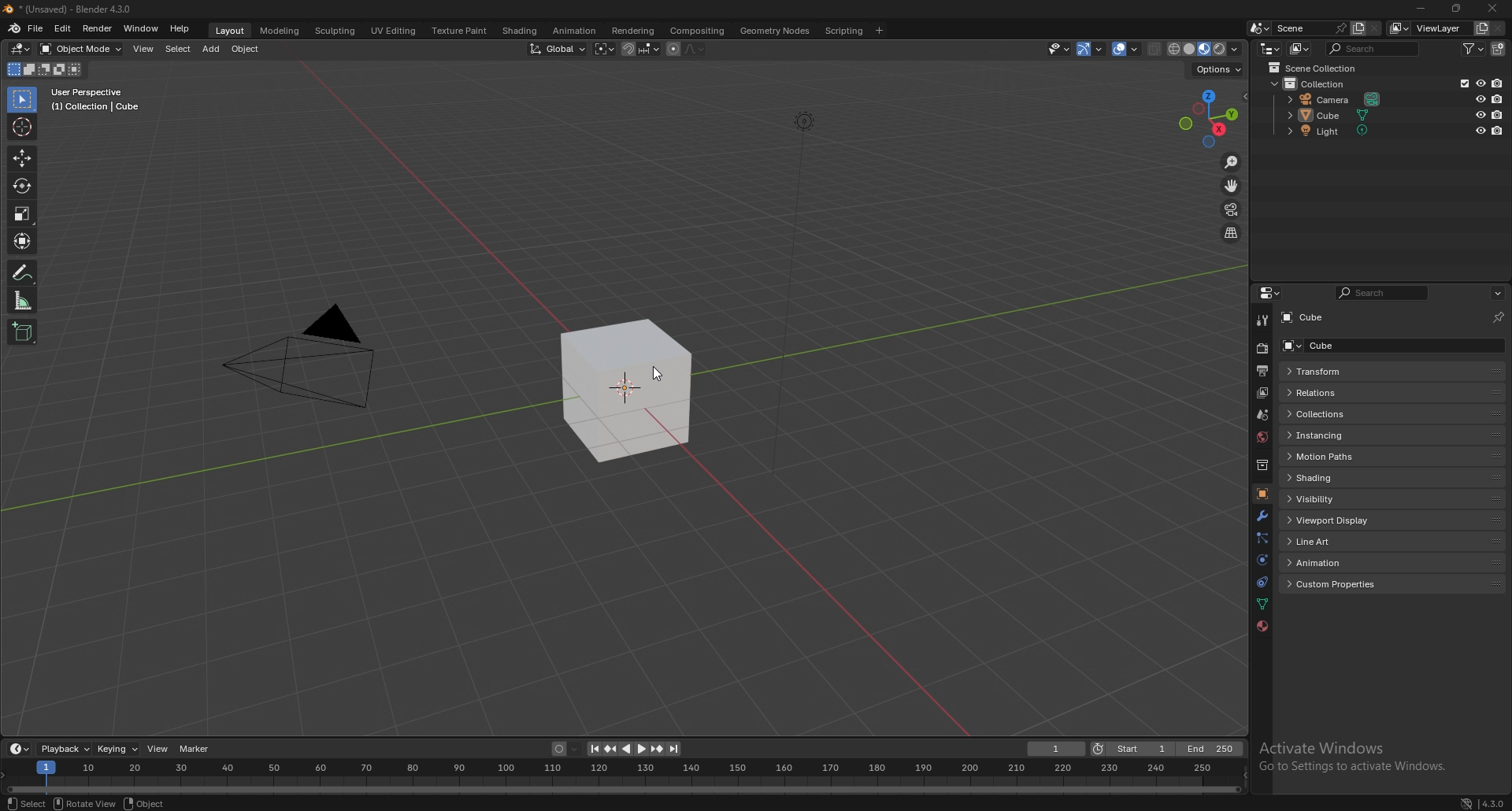 Image resolution: width=1512 pixels, height=811 pixels. What do you see at coordinates (557, 49) in the screenshot?
I see `transform orientation` at bounding box center [557, 49].